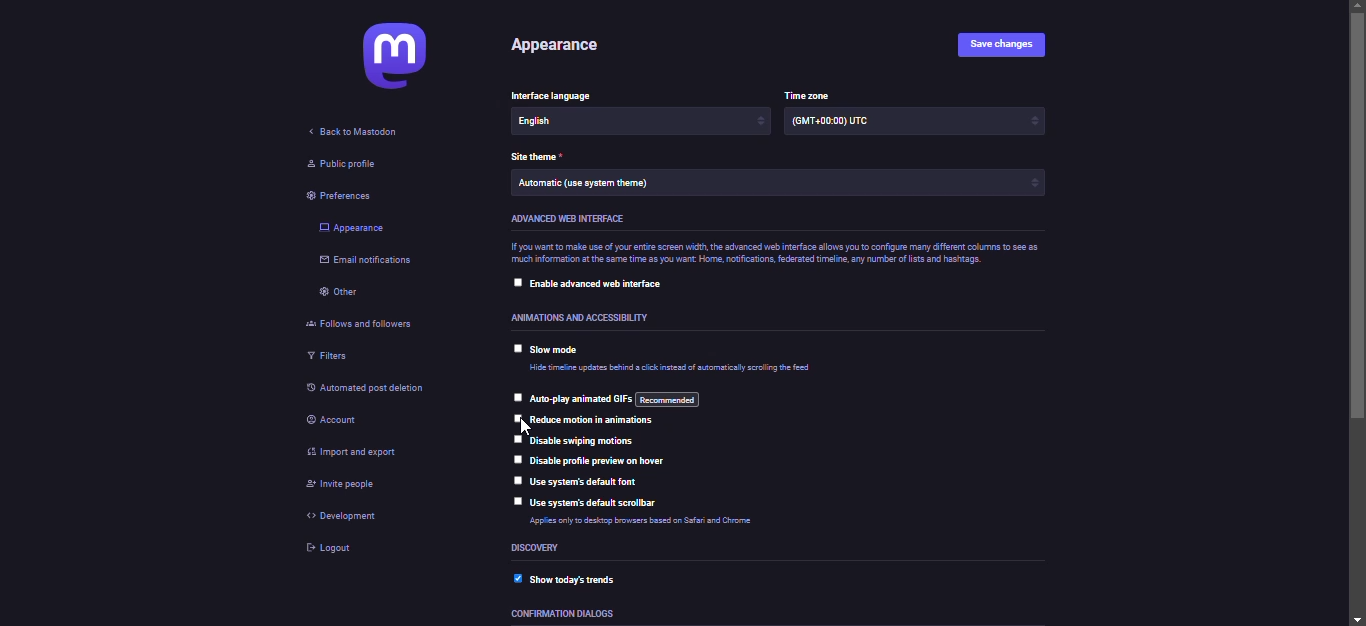  What do you see at coordinates (335, 423) in the screenshot?
I see `account` at bounding box center [335, 423].